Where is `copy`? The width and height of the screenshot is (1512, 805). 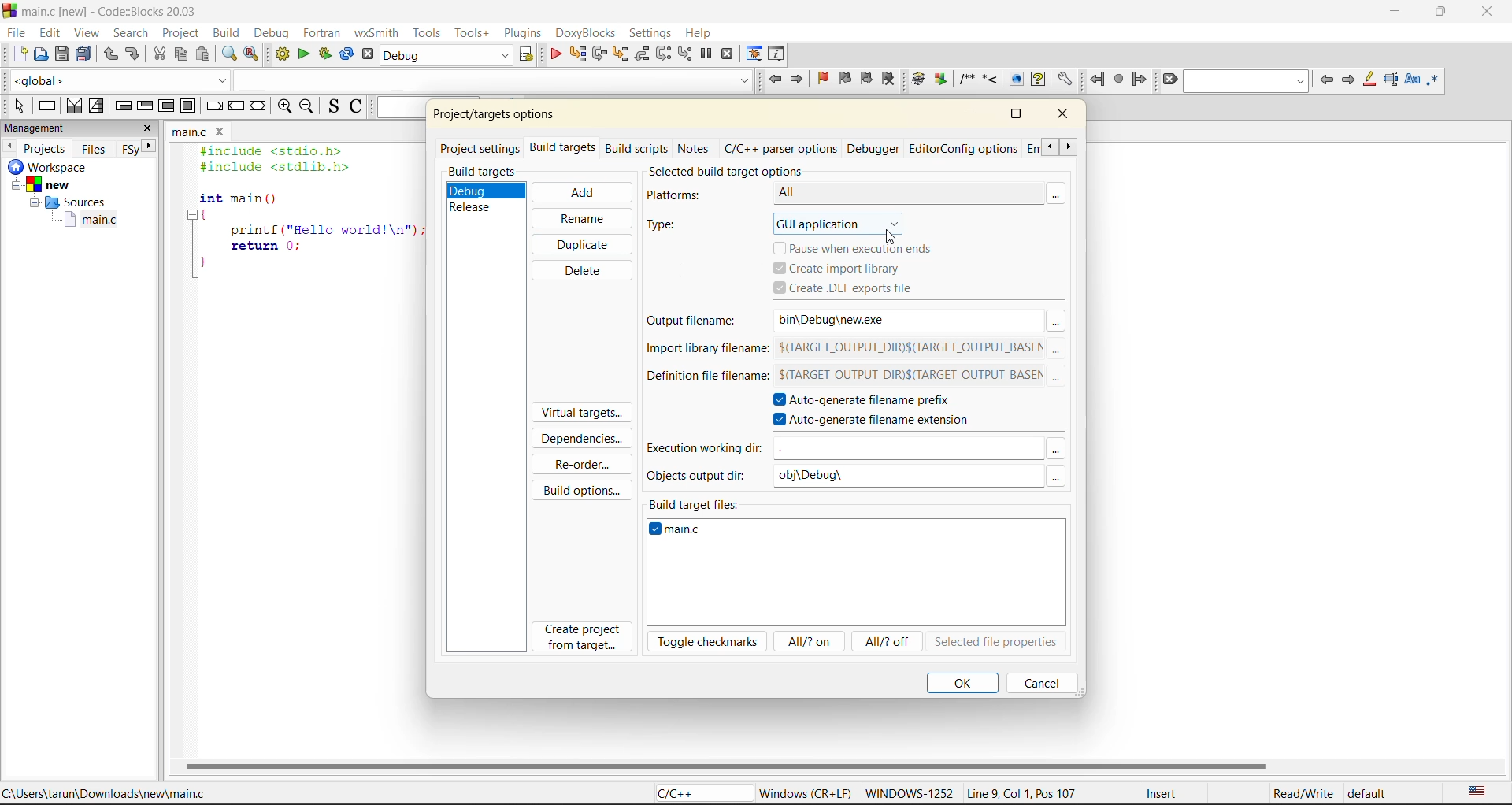 copy is located at coordinates (182, 54).